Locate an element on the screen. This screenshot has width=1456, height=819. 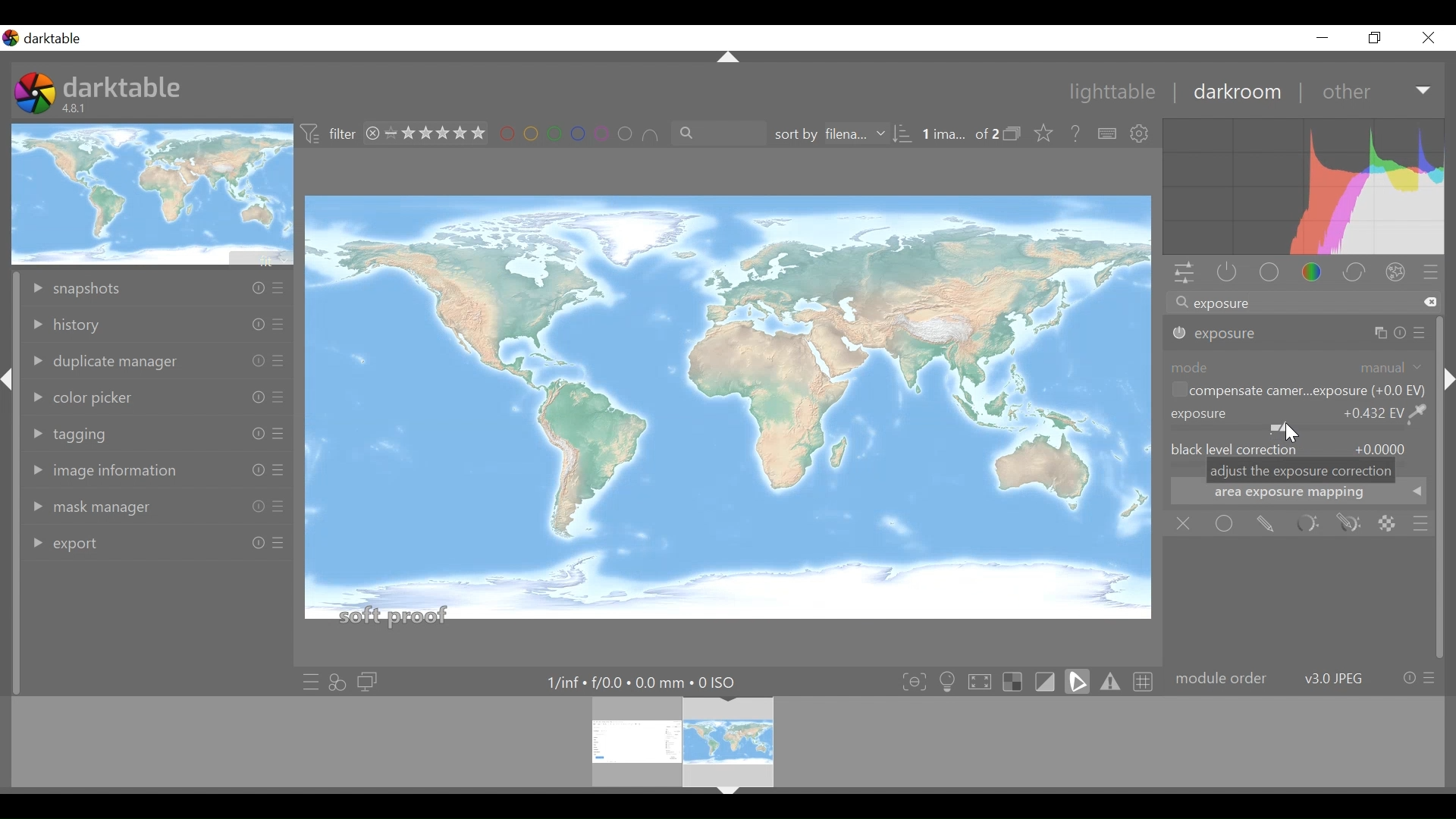
 is located at coordinates (249, 396).